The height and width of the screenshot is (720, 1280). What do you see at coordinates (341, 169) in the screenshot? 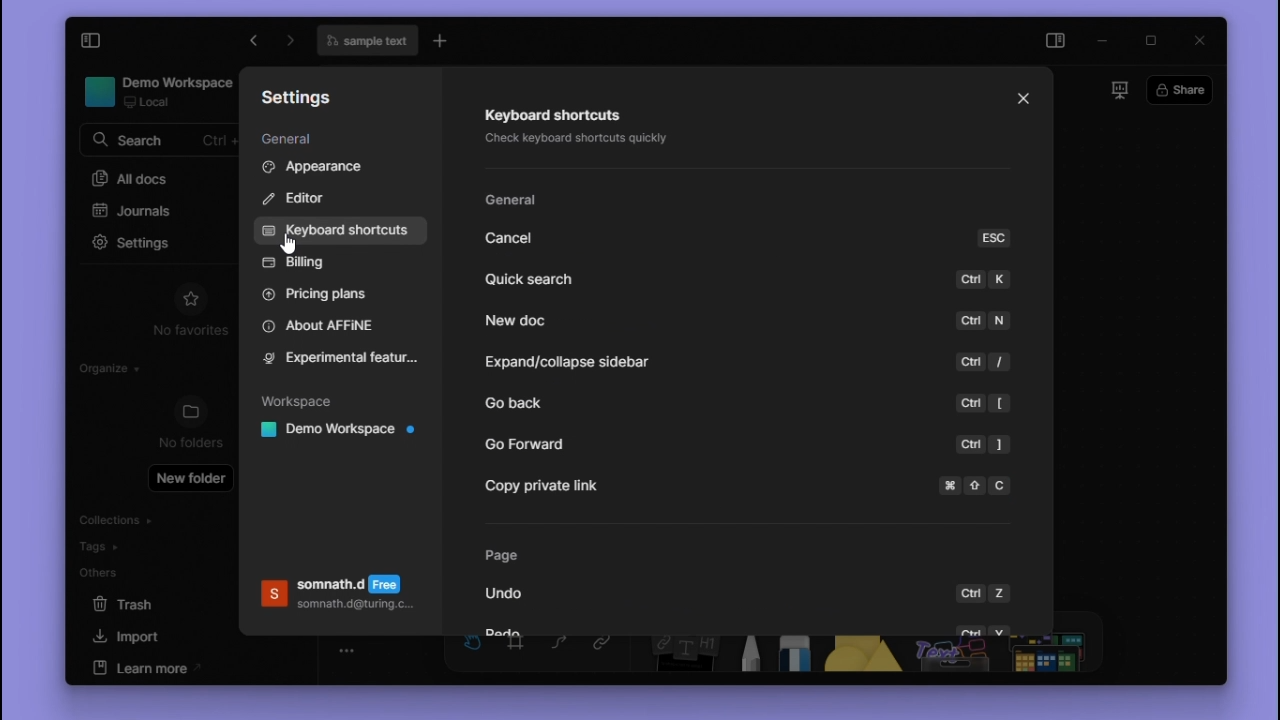
I see `Appearance` at bounding box center [341, 169].